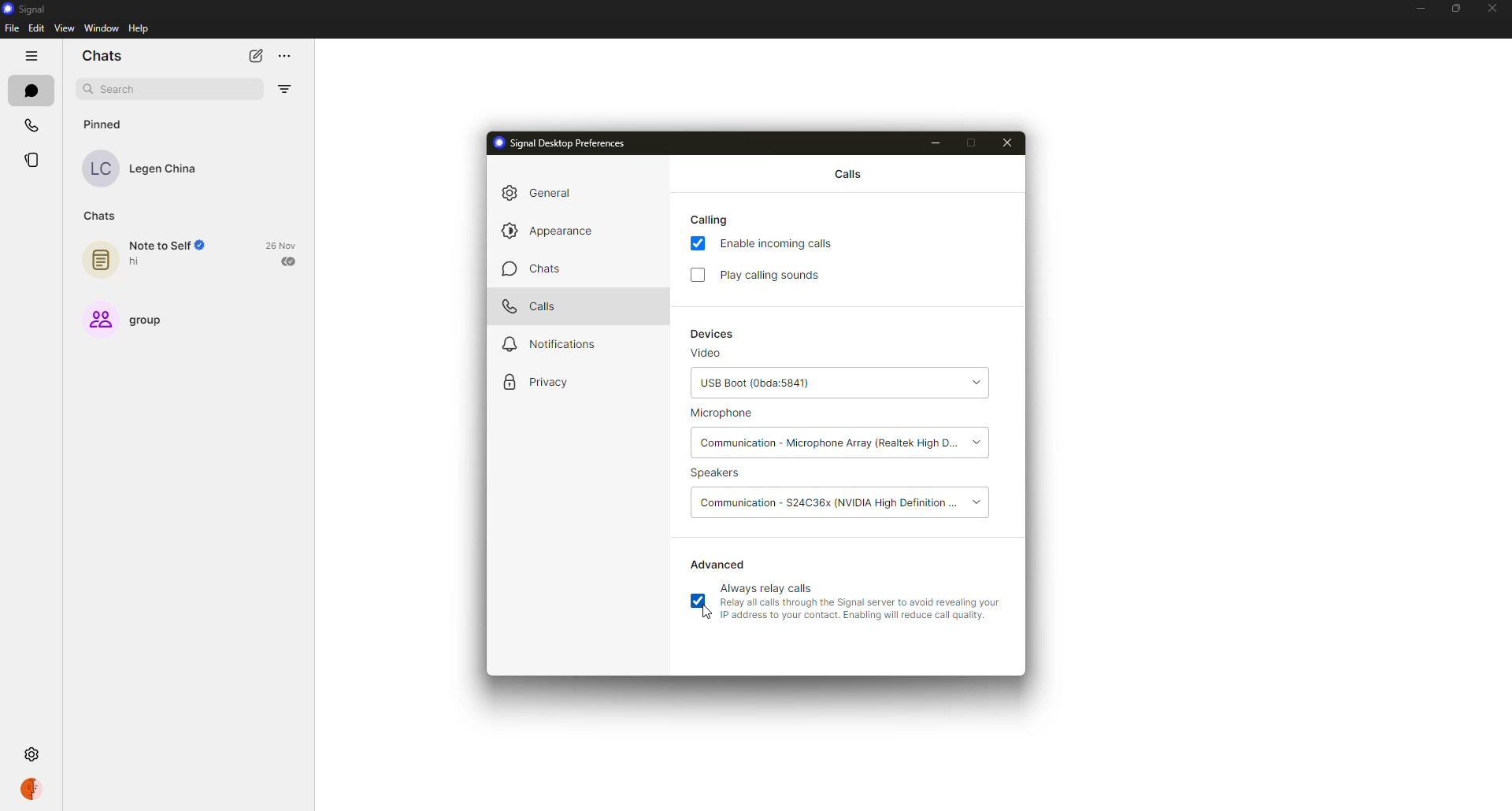 Image resolution: width=1512 pixels, height=811 pixels. Describe the element at coordinates (532, 306) in the screenshot. I see `calls` at that location.